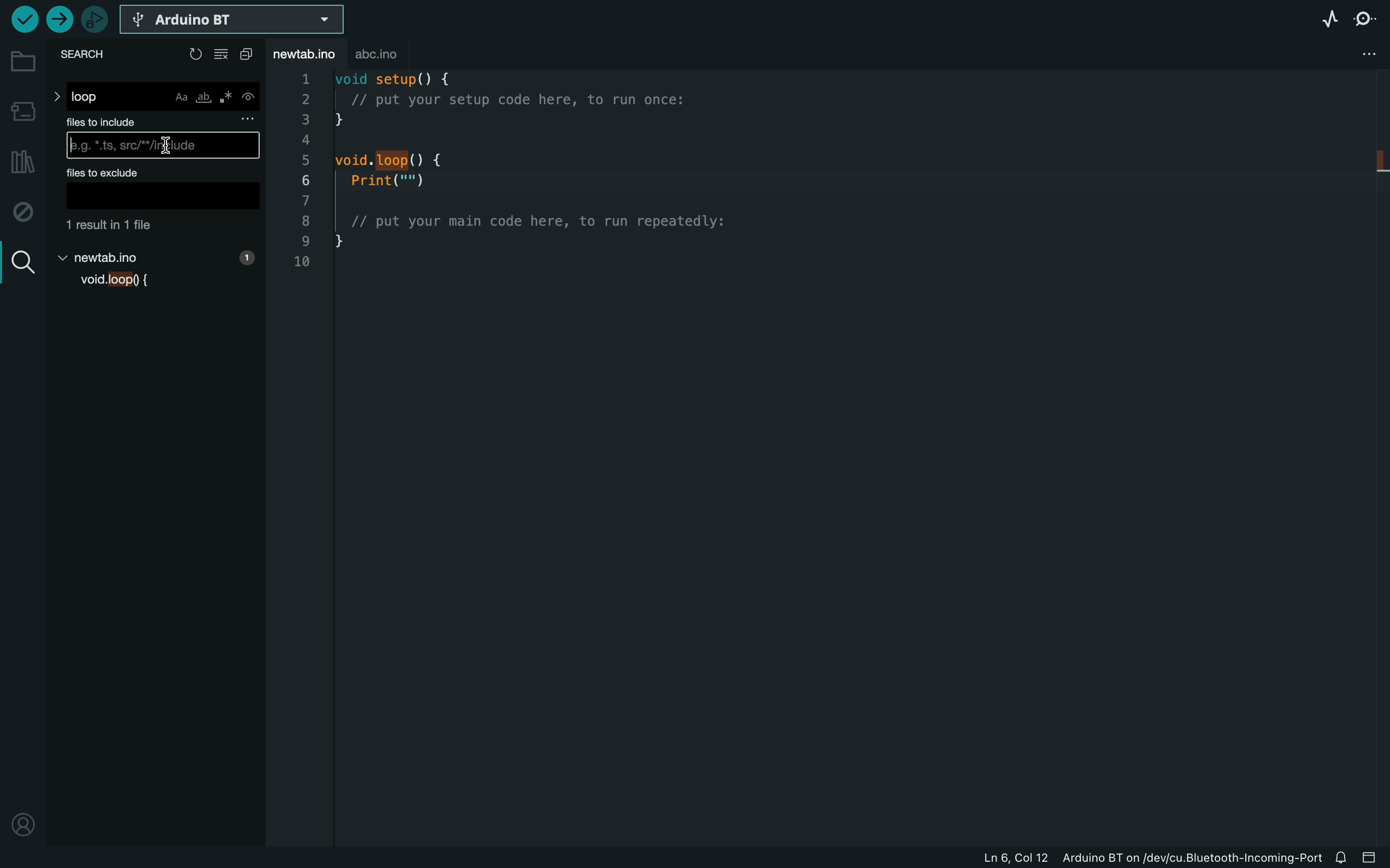 This screenshot has width=1390, height=868. What do you see at coordinates (391, 54) in the screenshot?
I see `abc` at bounding box center [391, 54].